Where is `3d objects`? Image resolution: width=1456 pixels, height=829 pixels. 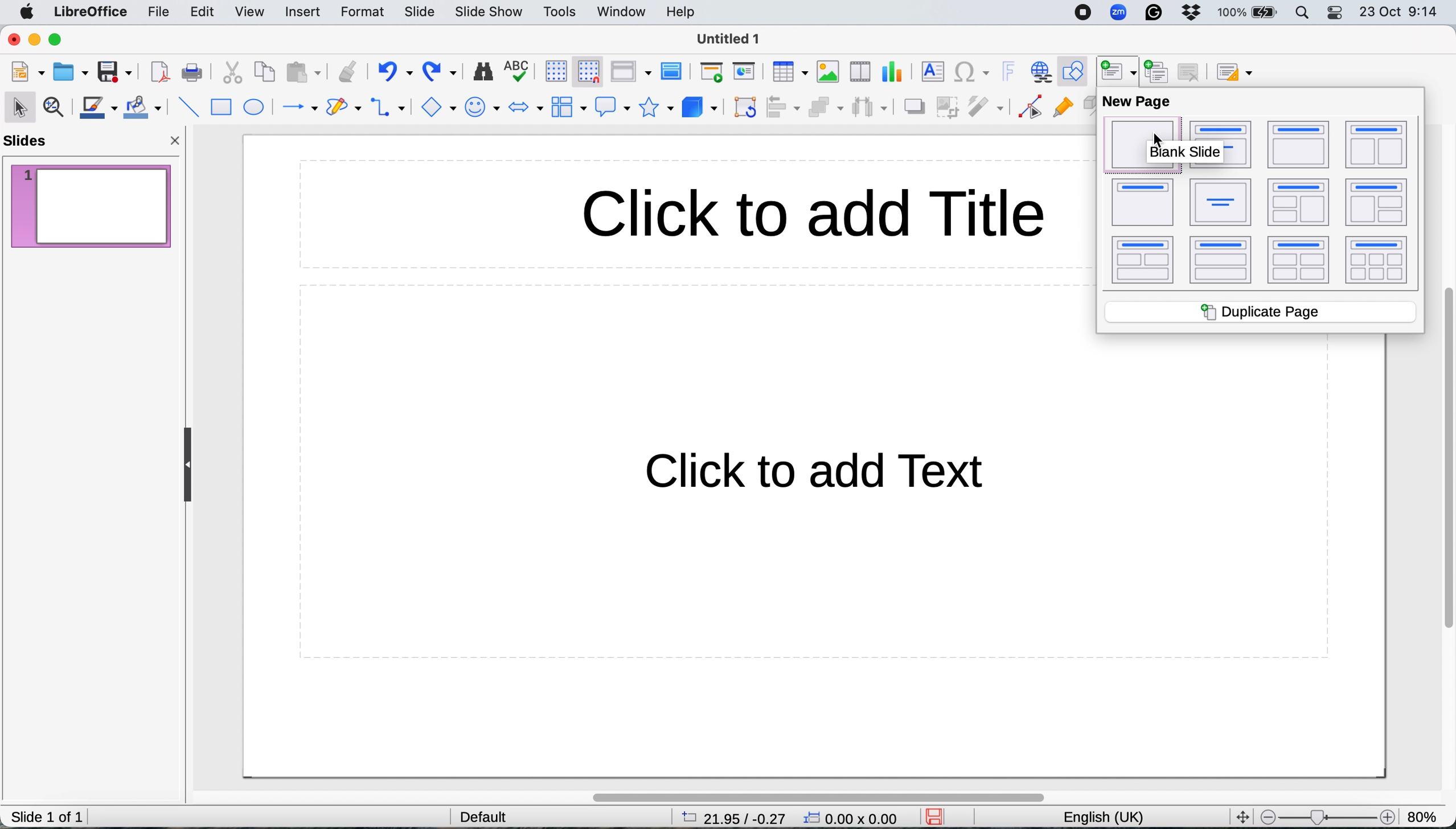 3d objects is located at coordinates (701, 106).